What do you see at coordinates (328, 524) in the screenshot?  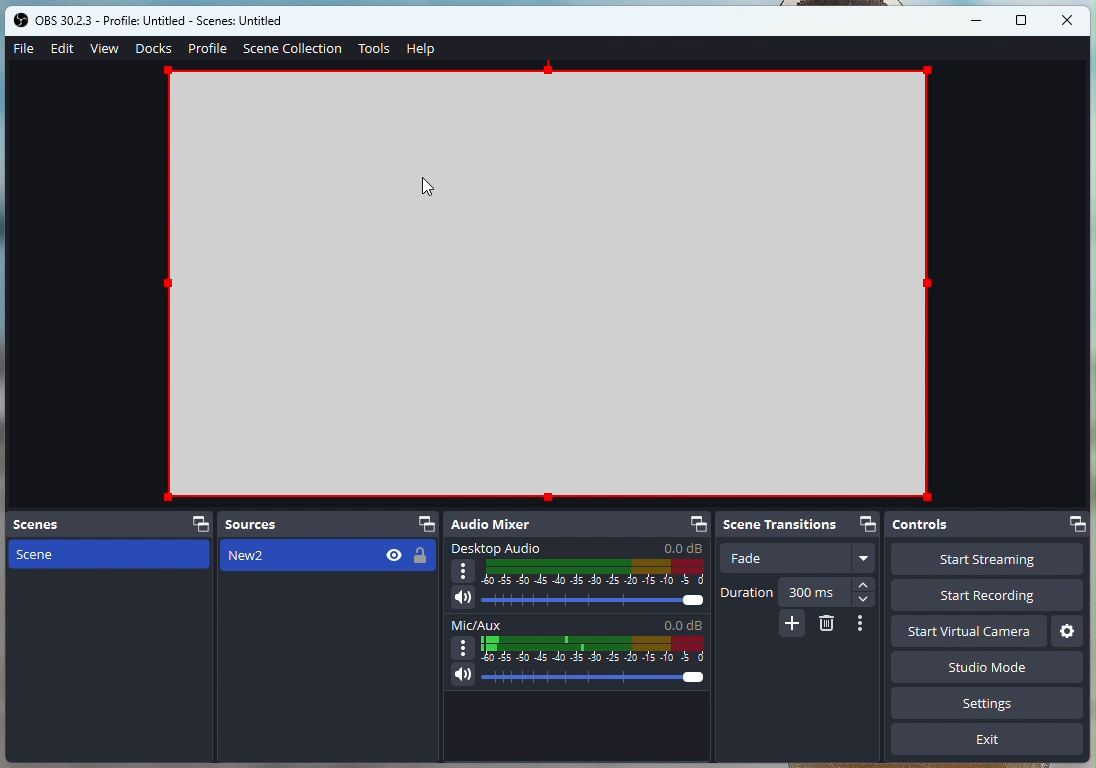 I see `Sources` at bounding box center [328, 524].